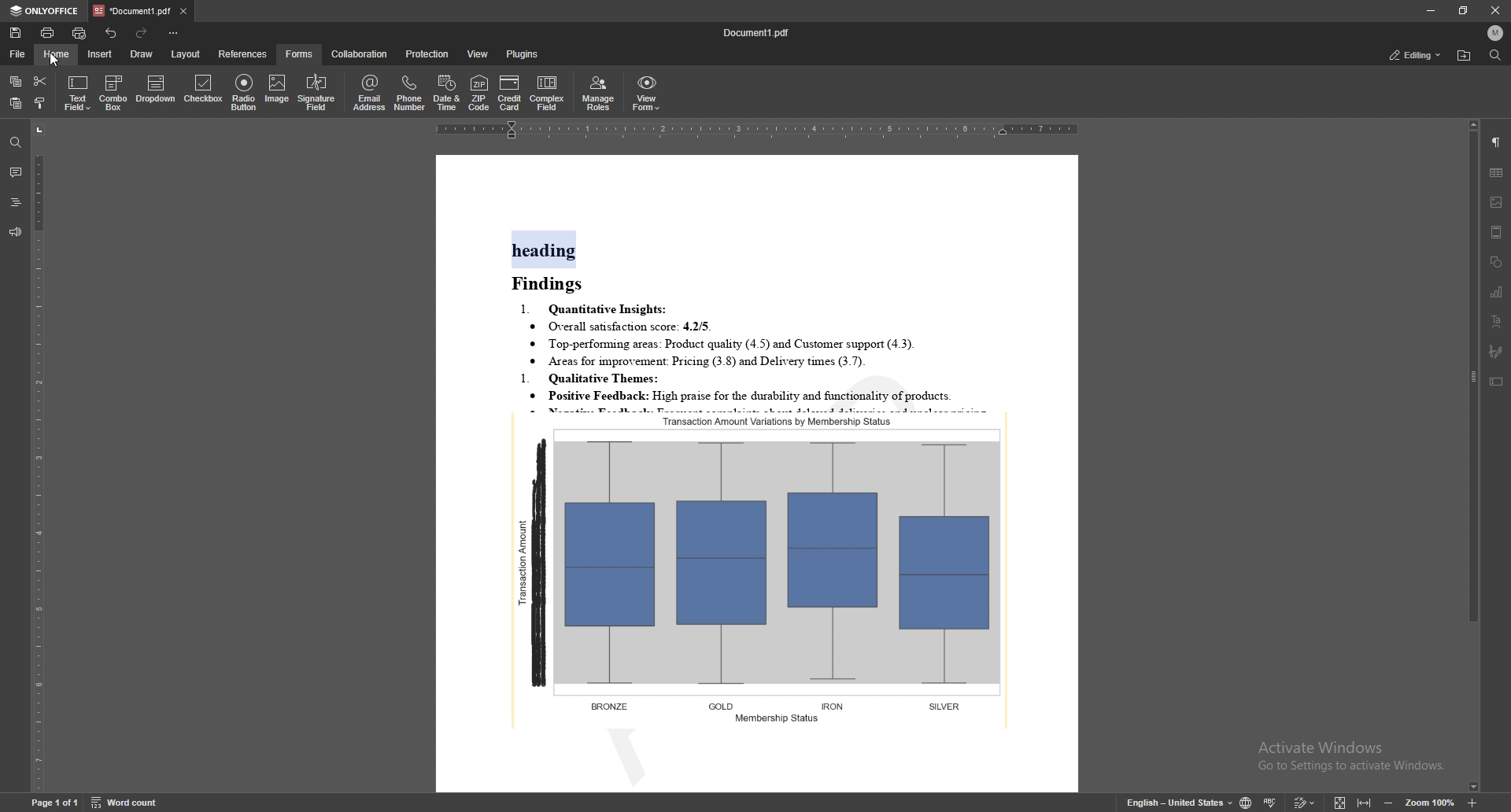 The width and height of the screenshot is (1511, 812). What do you see at coordinates (597, 308) in the screenshot?
I see `1. Quantitative Insights:` at bounding box center [597, 308].